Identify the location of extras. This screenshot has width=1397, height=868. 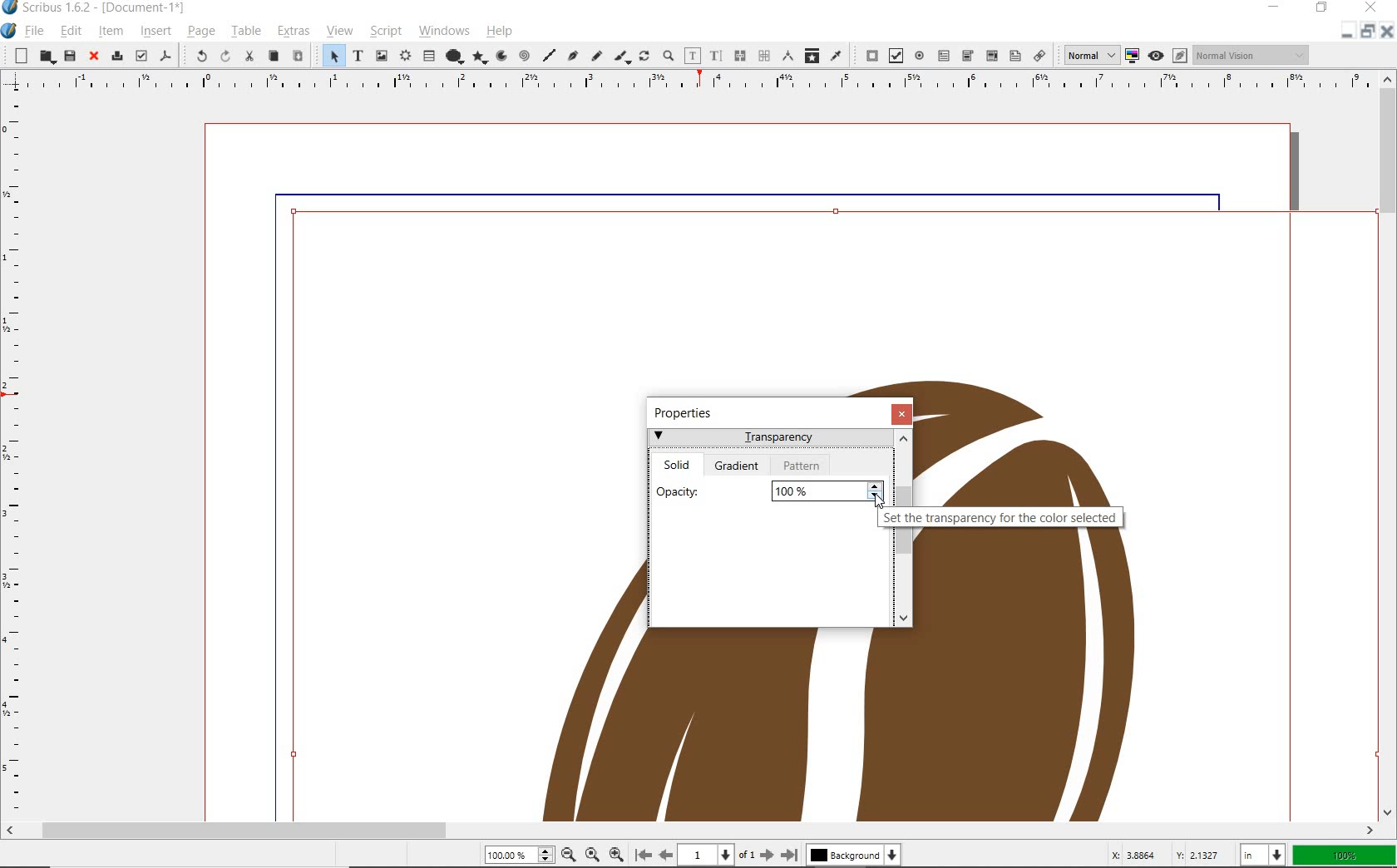
(293, 31).